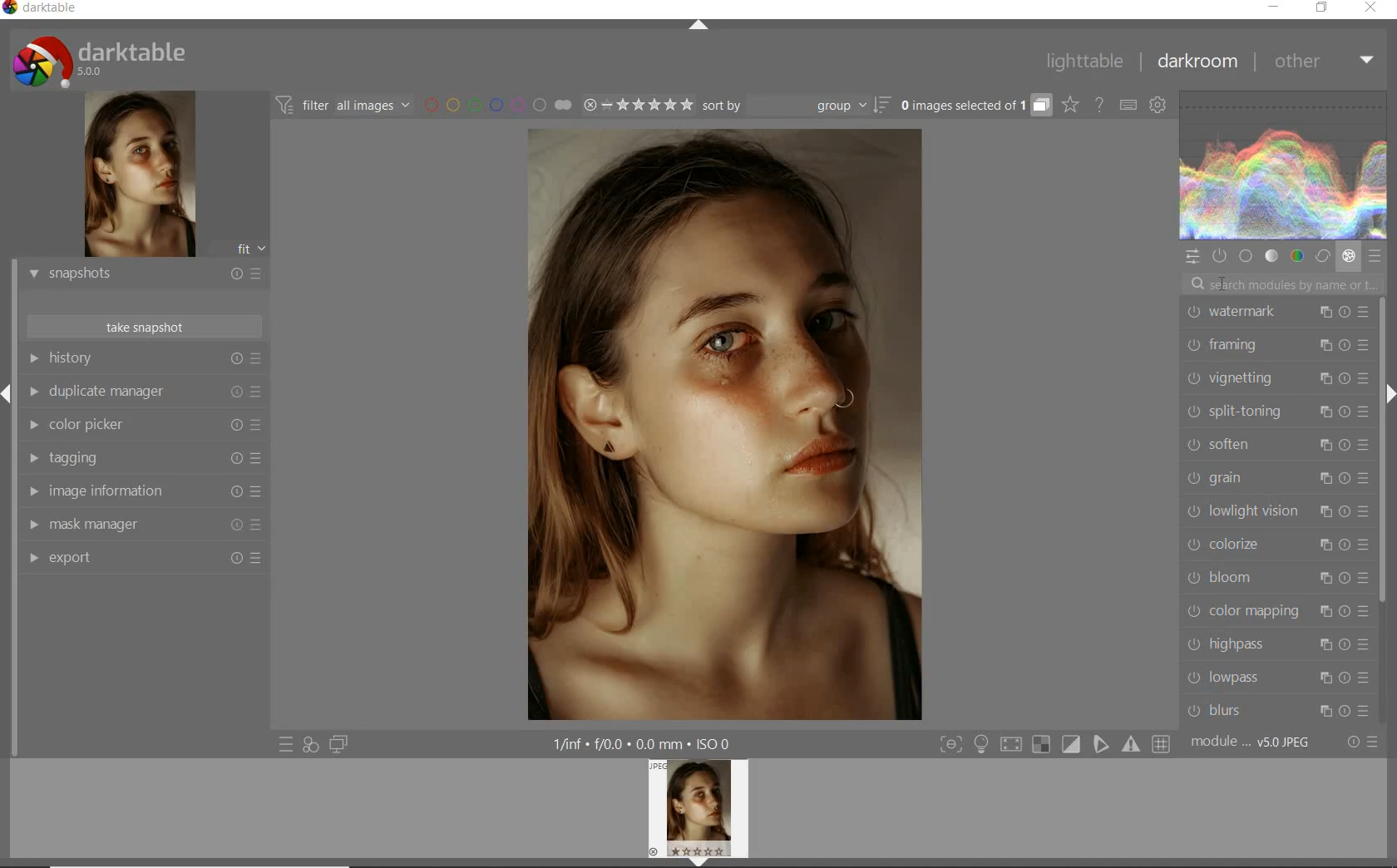  Describe the element at coordinates (108, 59) in the screenshot. I see `system logo` at that location.